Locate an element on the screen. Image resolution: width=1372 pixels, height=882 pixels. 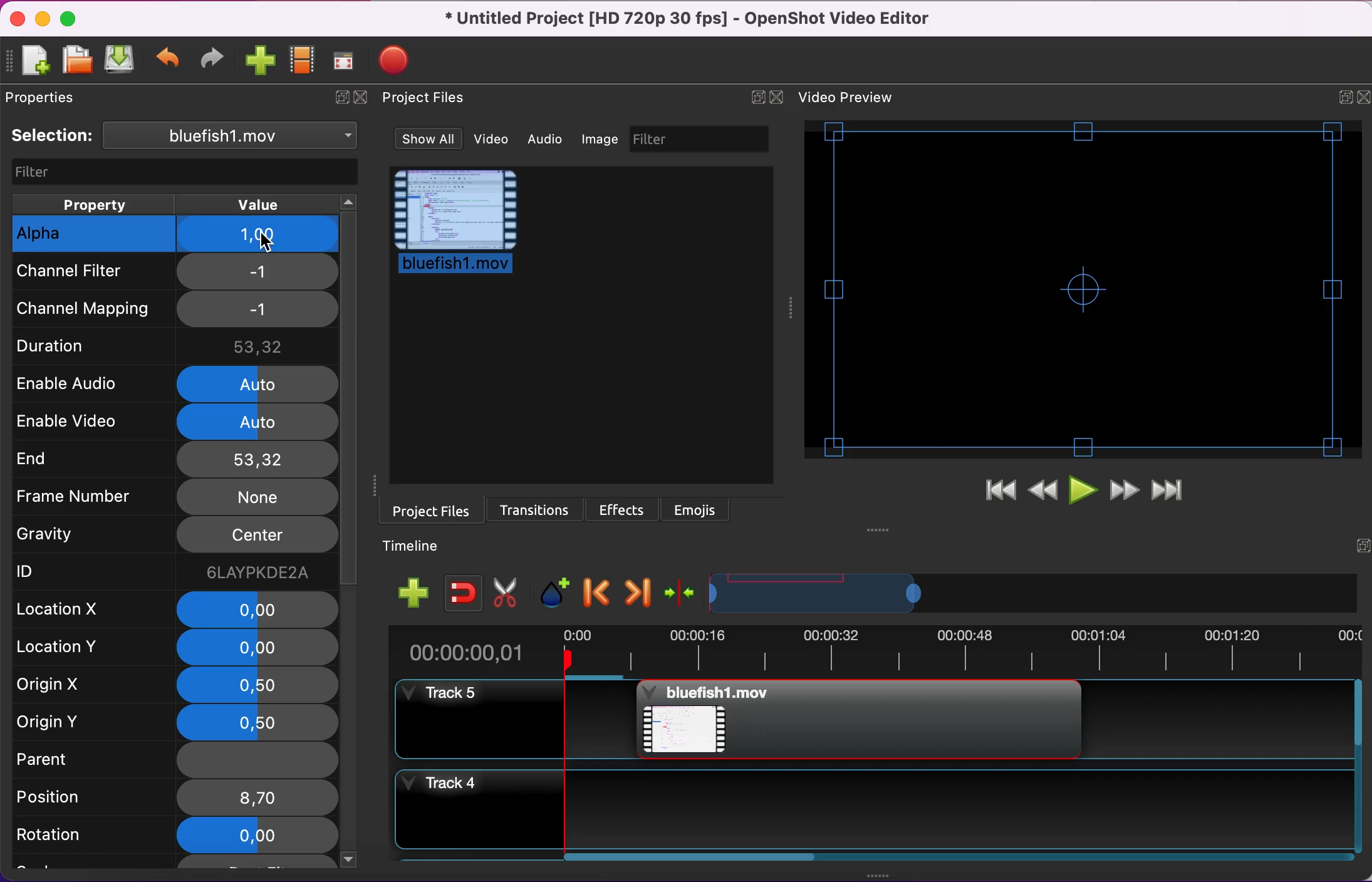
Vertical slide bar is located at coordinates (1358, 765).